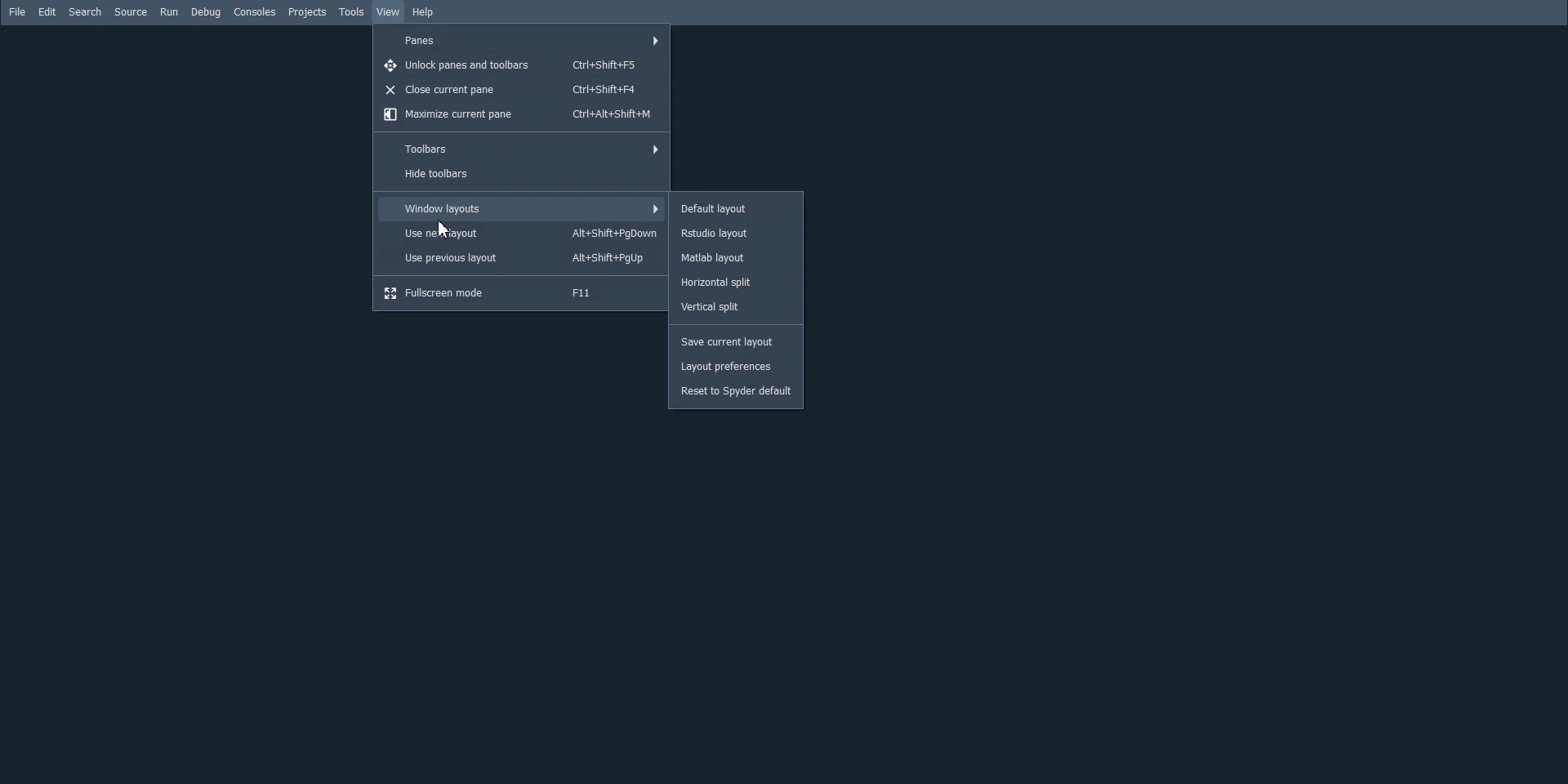 The width and height of the screenshot is (1568, 784). I want to click on Matlab layout, so click(734, 259).